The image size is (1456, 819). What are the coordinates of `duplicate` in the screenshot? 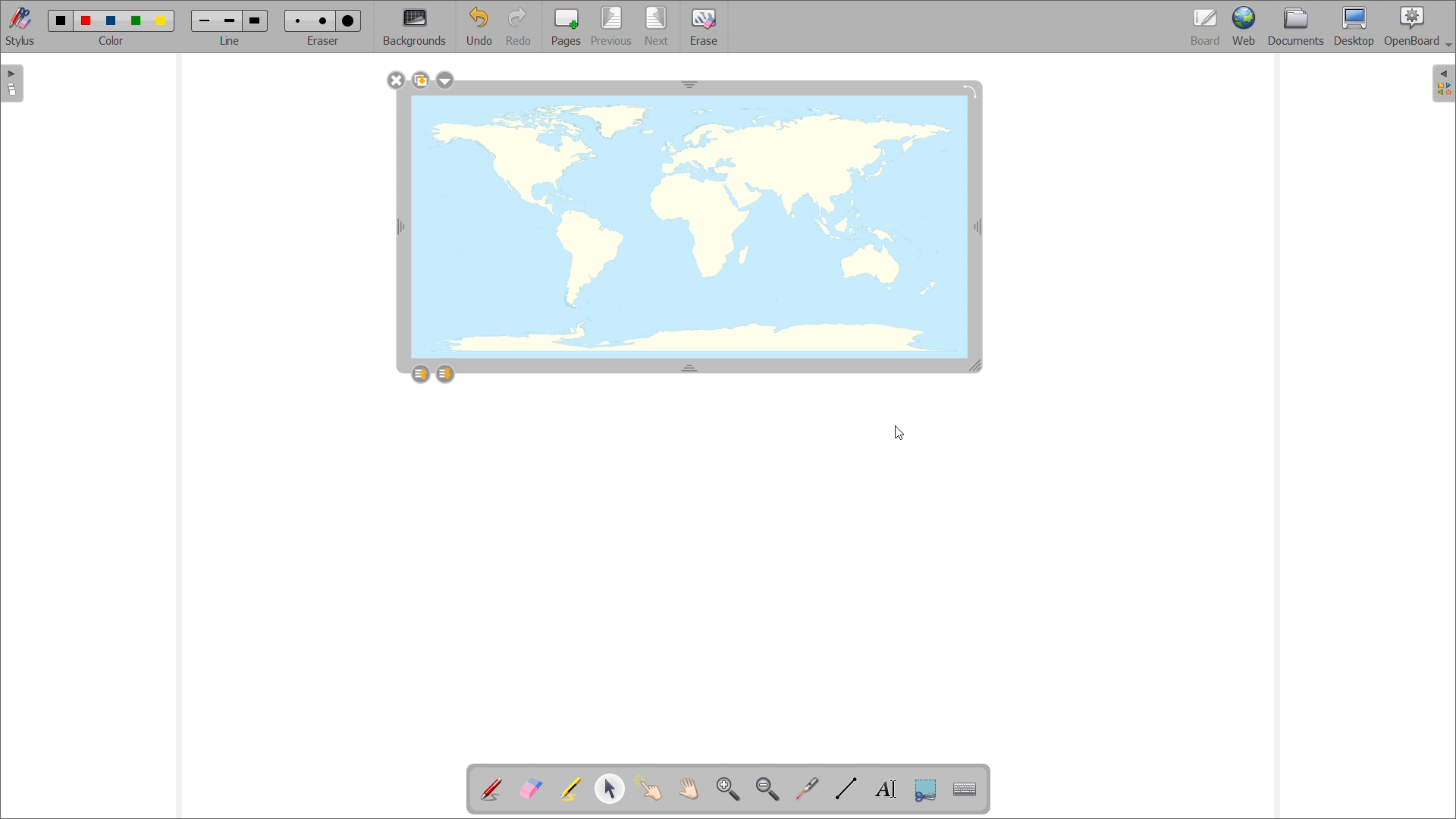 It's located at (419, 80).